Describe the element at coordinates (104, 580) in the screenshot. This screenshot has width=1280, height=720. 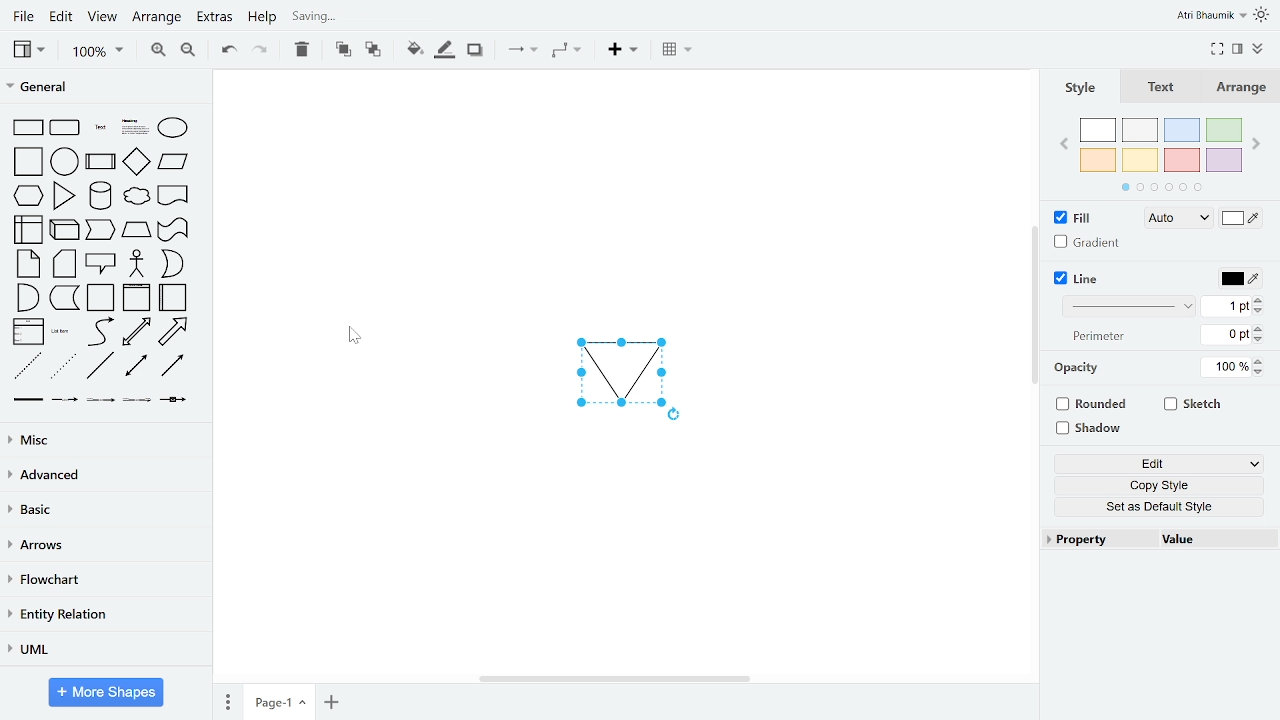
I see `flowchart` at that location.